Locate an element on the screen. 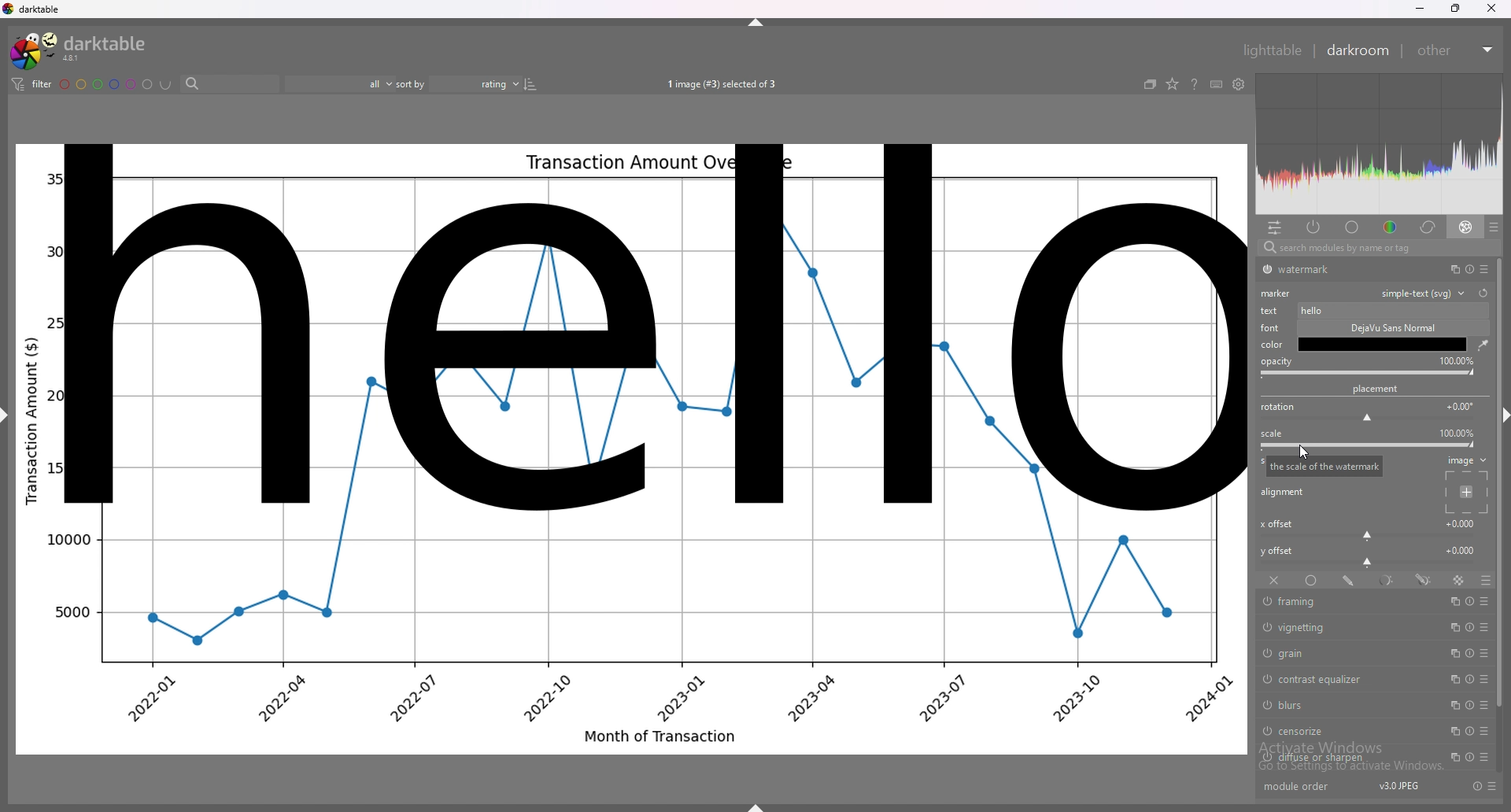  reset is located at coordinates (1483, 293).